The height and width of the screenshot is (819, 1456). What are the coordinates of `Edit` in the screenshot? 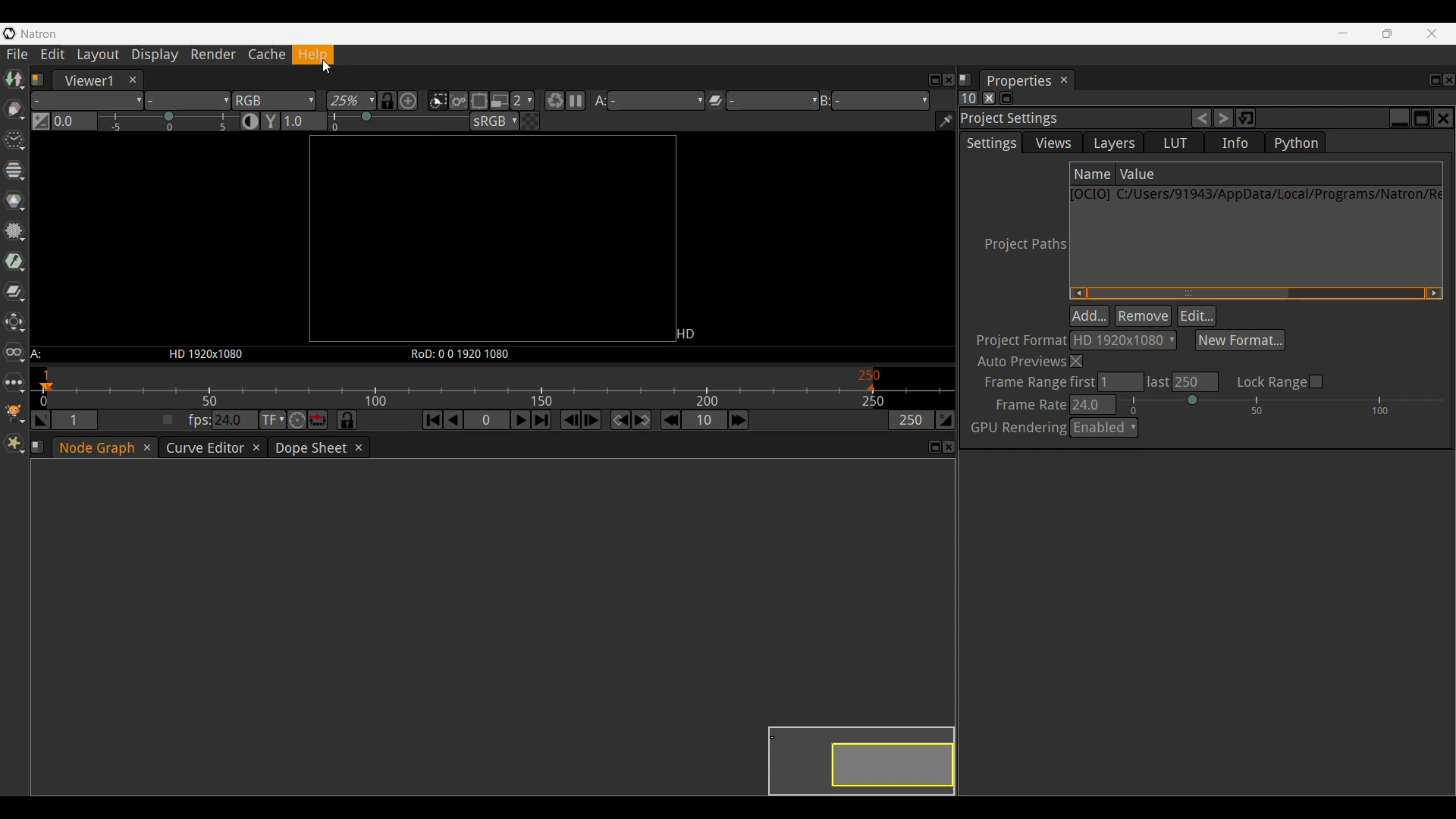 It's located at (1197, 315).